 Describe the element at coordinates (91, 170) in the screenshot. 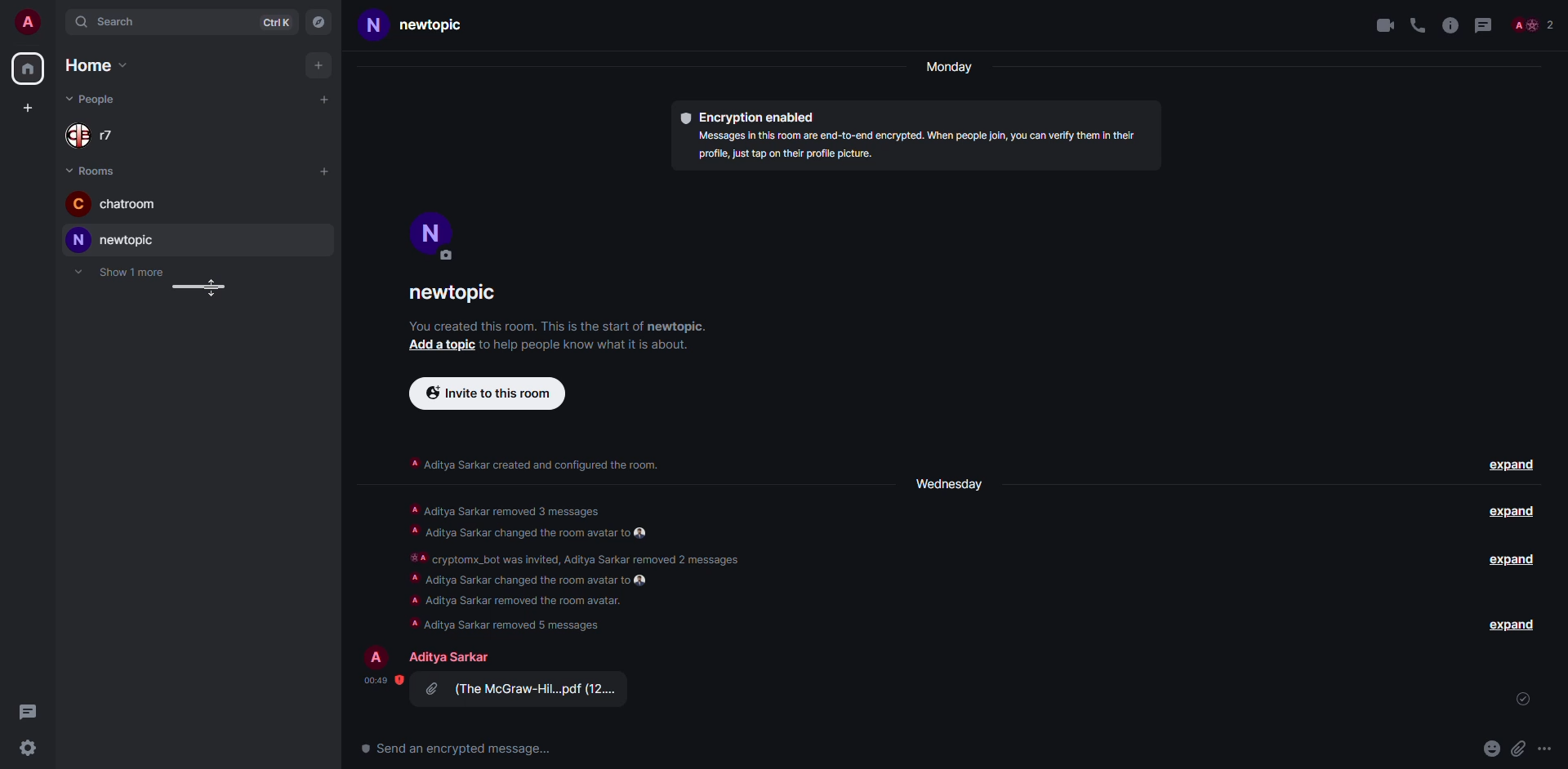

I see `rooms` at that location.